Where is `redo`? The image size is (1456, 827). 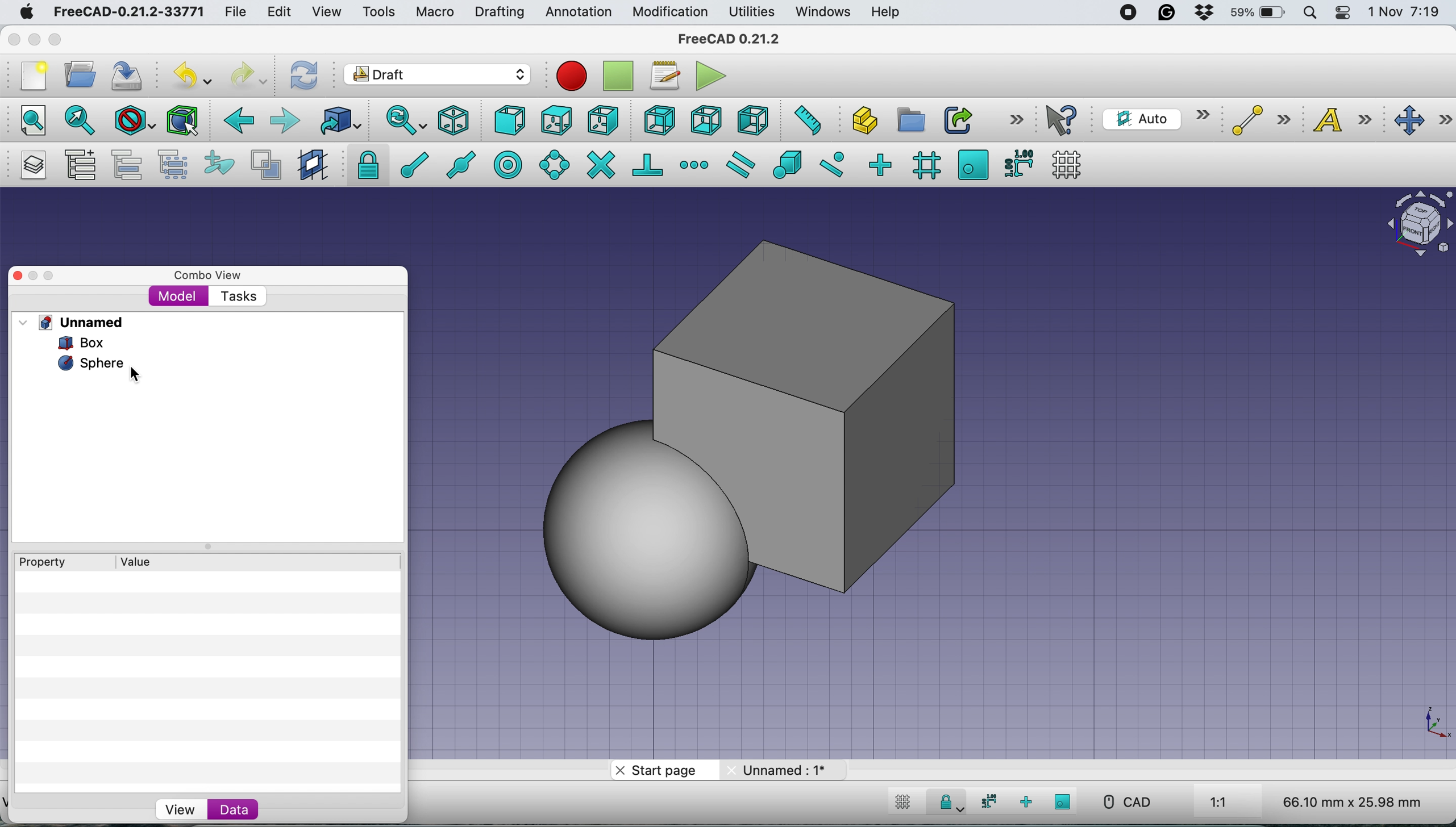 redo is located at coordinates (249, 74).